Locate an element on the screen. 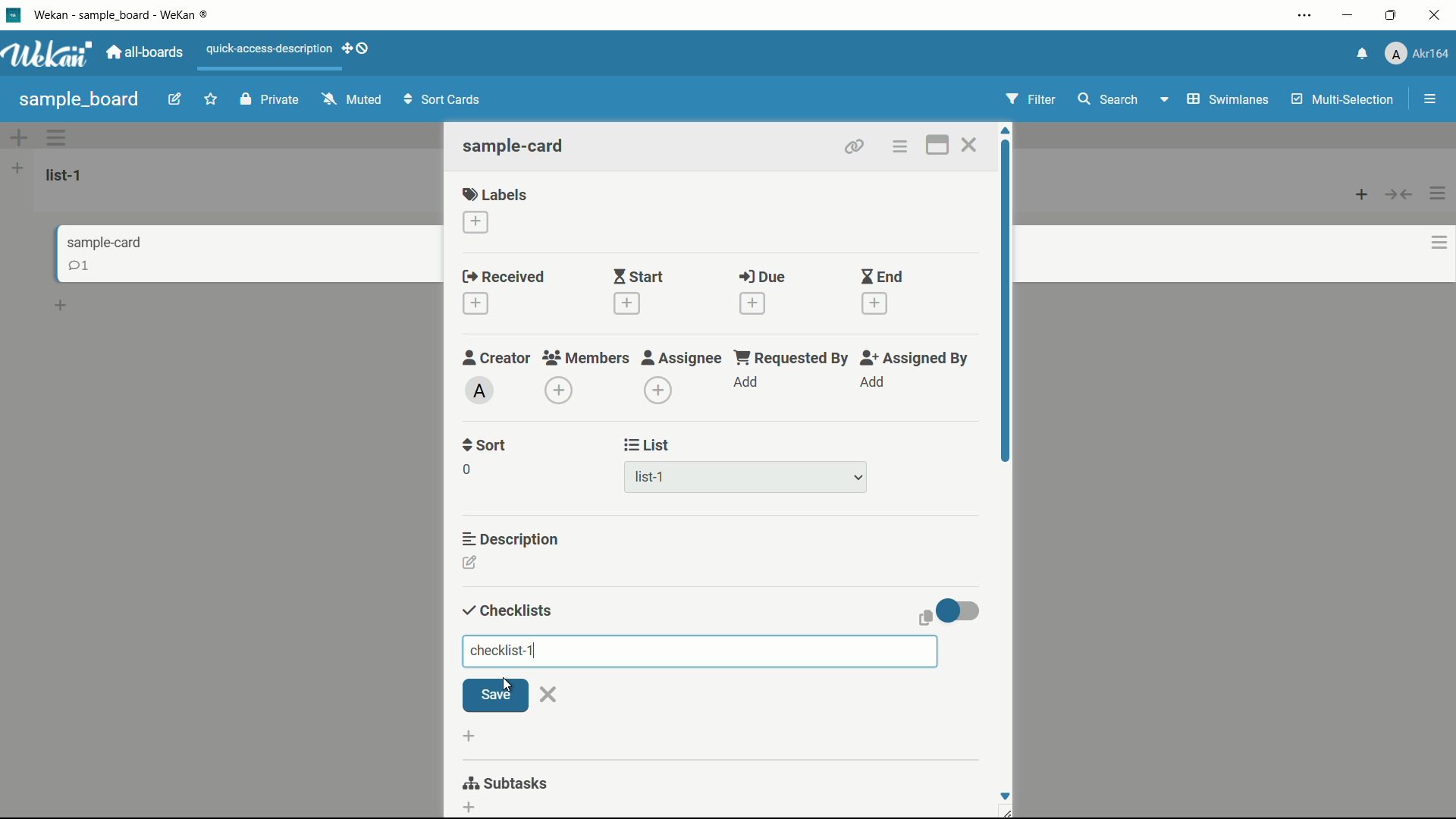 This screenshot has width=1456, height=819.  Muted is located at coordinates (353, 99).